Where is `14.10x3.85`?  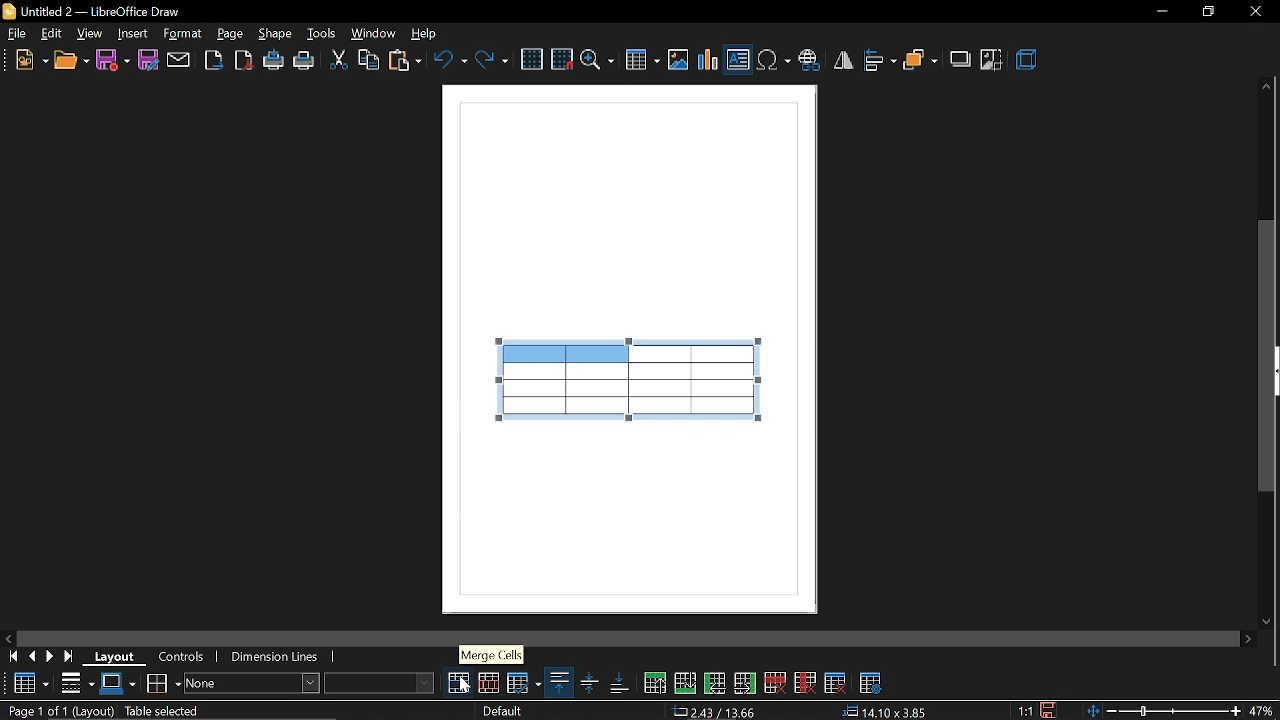 14.10x3.85 is located at coordinates (886, 713).